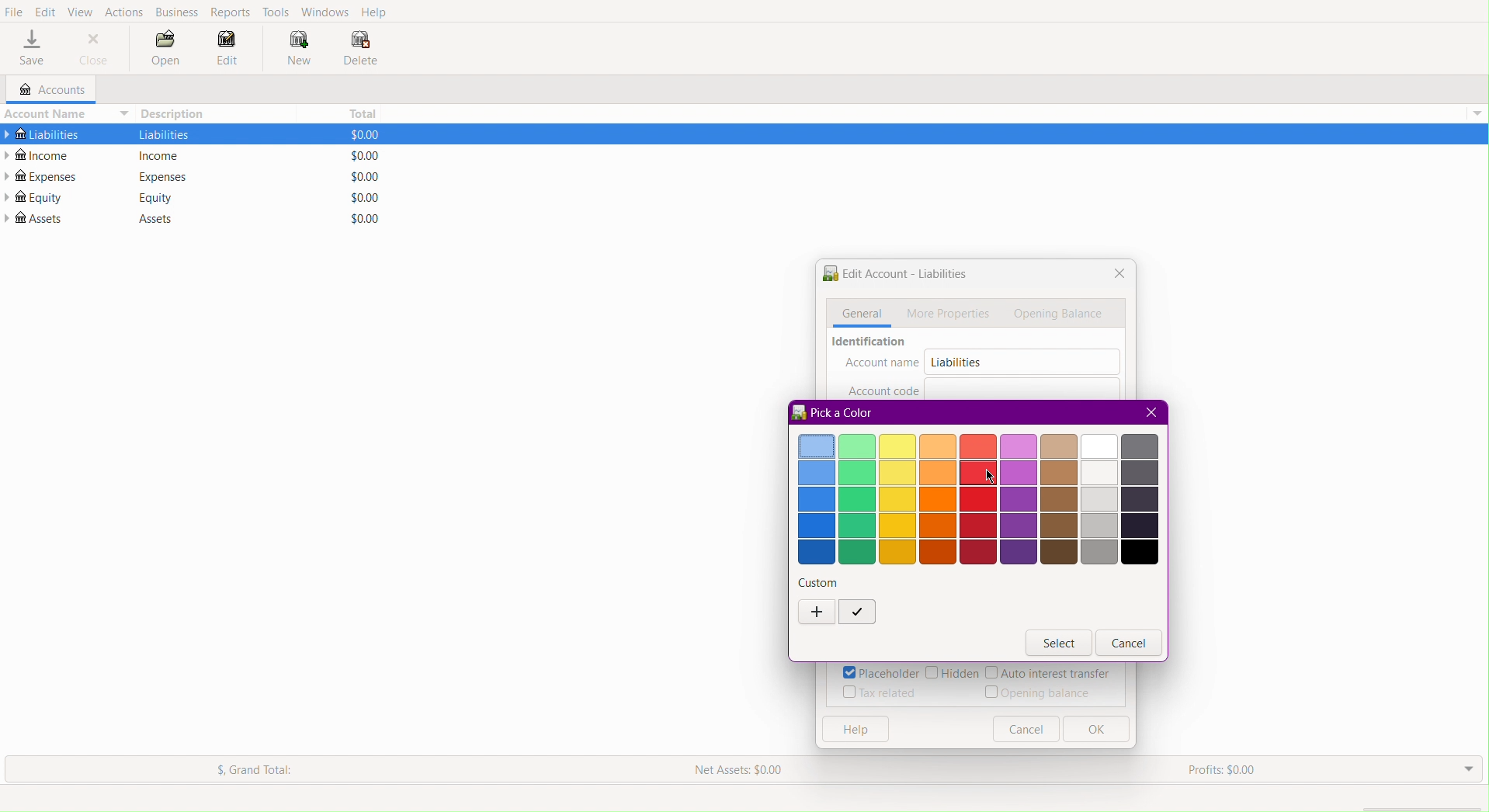 The image size is (1489, 812). Describe the element at coordinates (14, 12) in the screenshot. I see `File` at that location.